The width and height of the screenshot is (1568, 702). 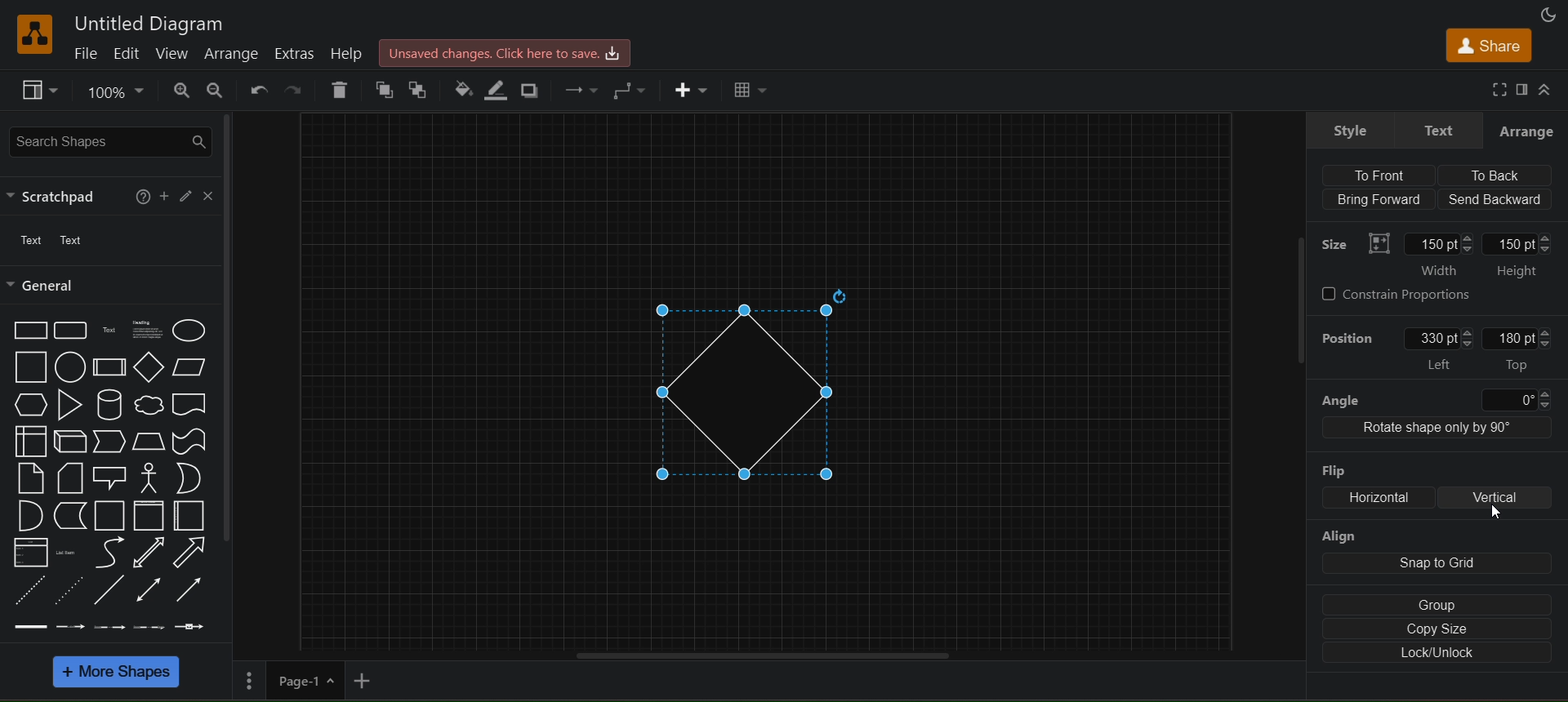 I want to click on process, so click(x=108, y=367).